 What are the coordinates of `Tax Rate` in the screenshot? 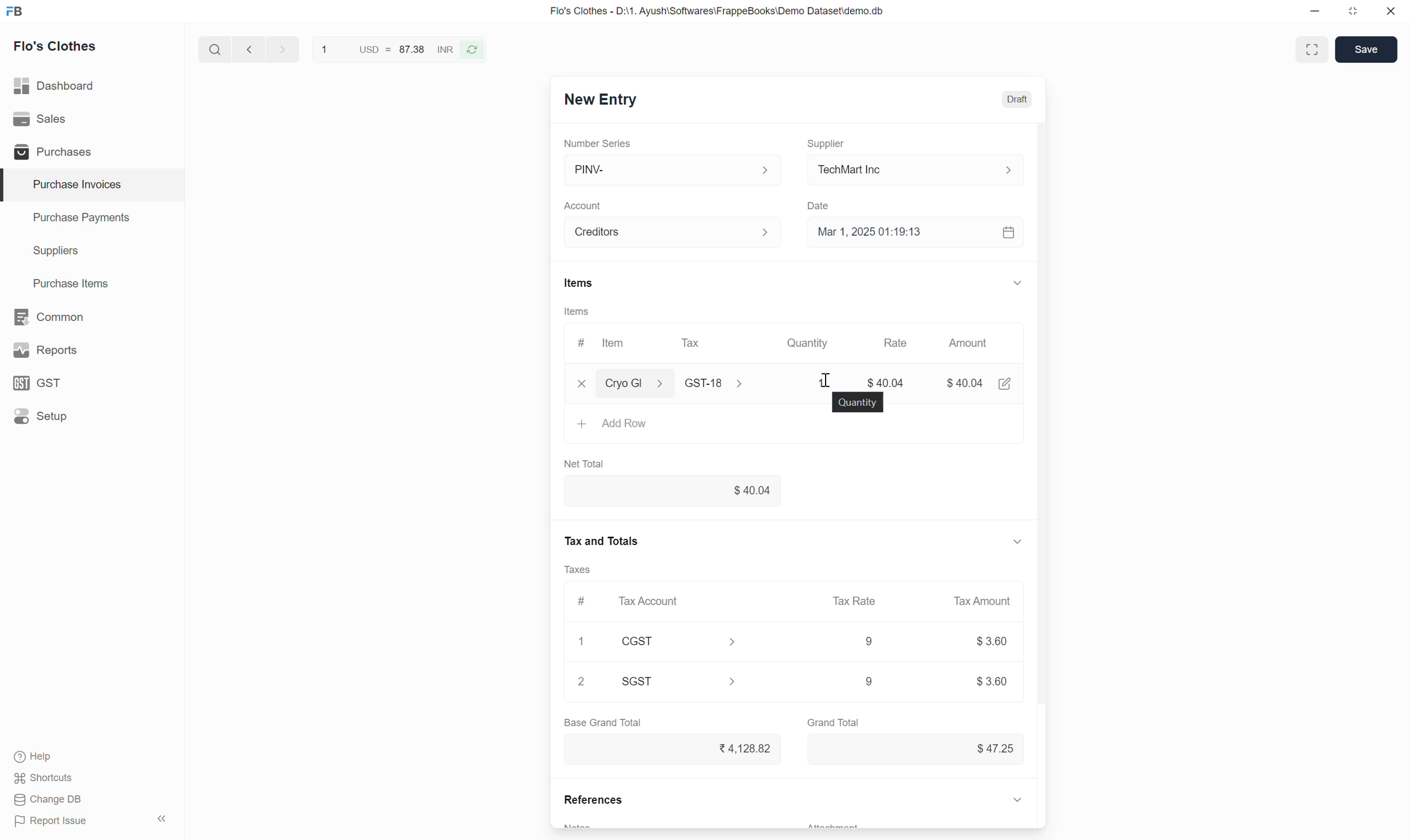 It's located at (857, 600).